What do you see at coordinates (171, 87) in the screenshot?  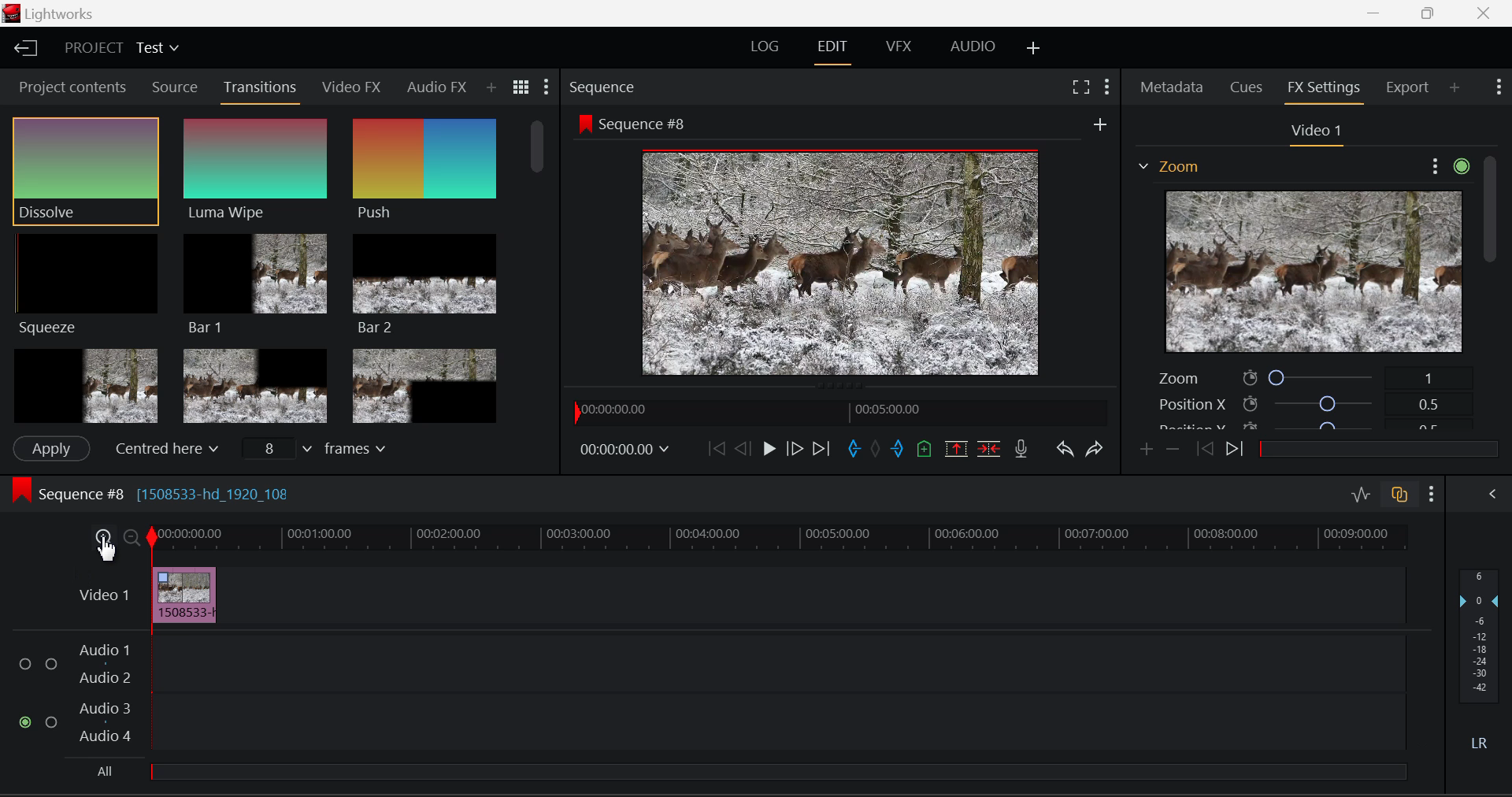 I see `Source` at bounding box center [171, 87].